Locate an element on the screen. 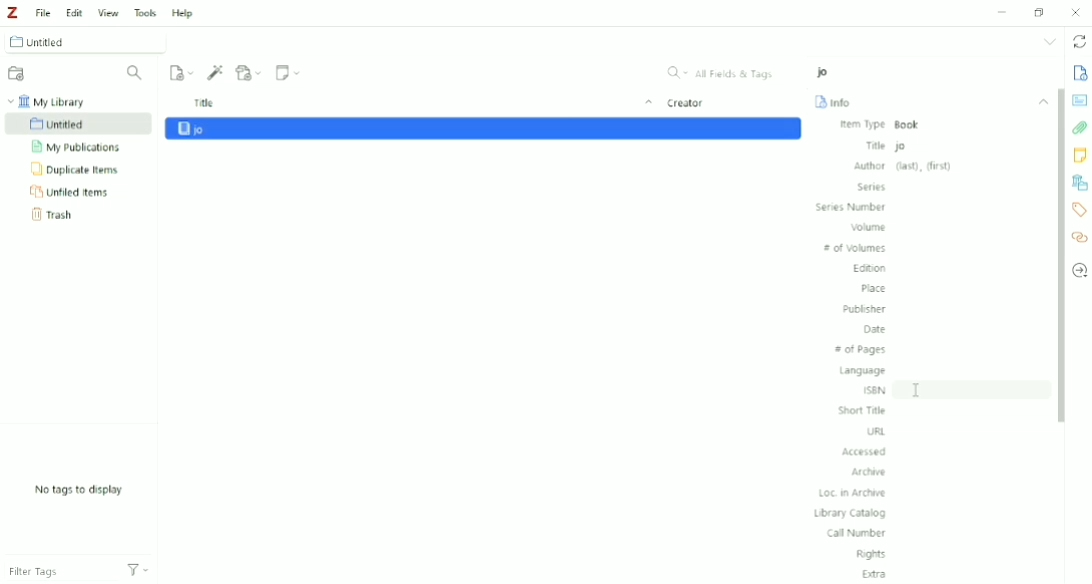  Notes is located at coordinates (1080, 156).